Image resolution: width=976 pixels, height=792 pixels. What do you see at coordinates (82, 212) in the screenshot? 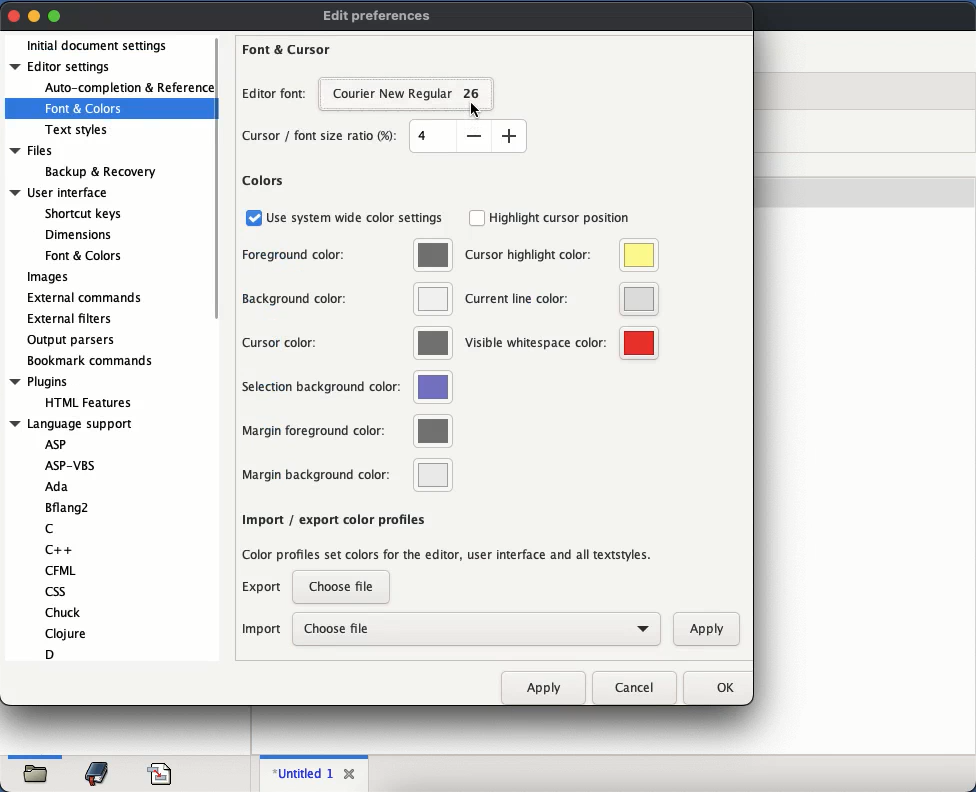
I see `Shortcut keys` at bounding box center [82, 212].